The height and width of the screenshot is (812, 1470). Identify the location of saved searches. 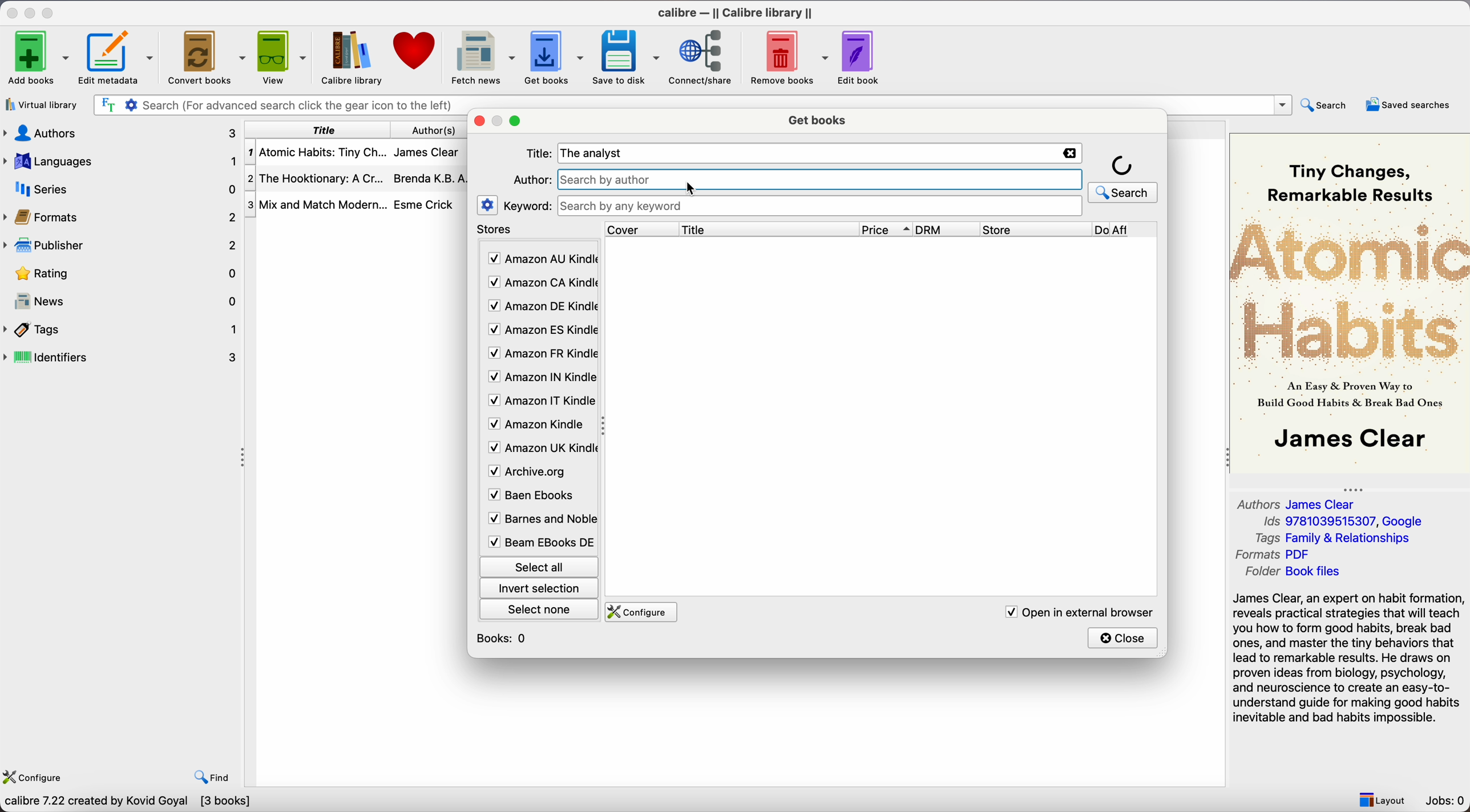
(1408, 103).